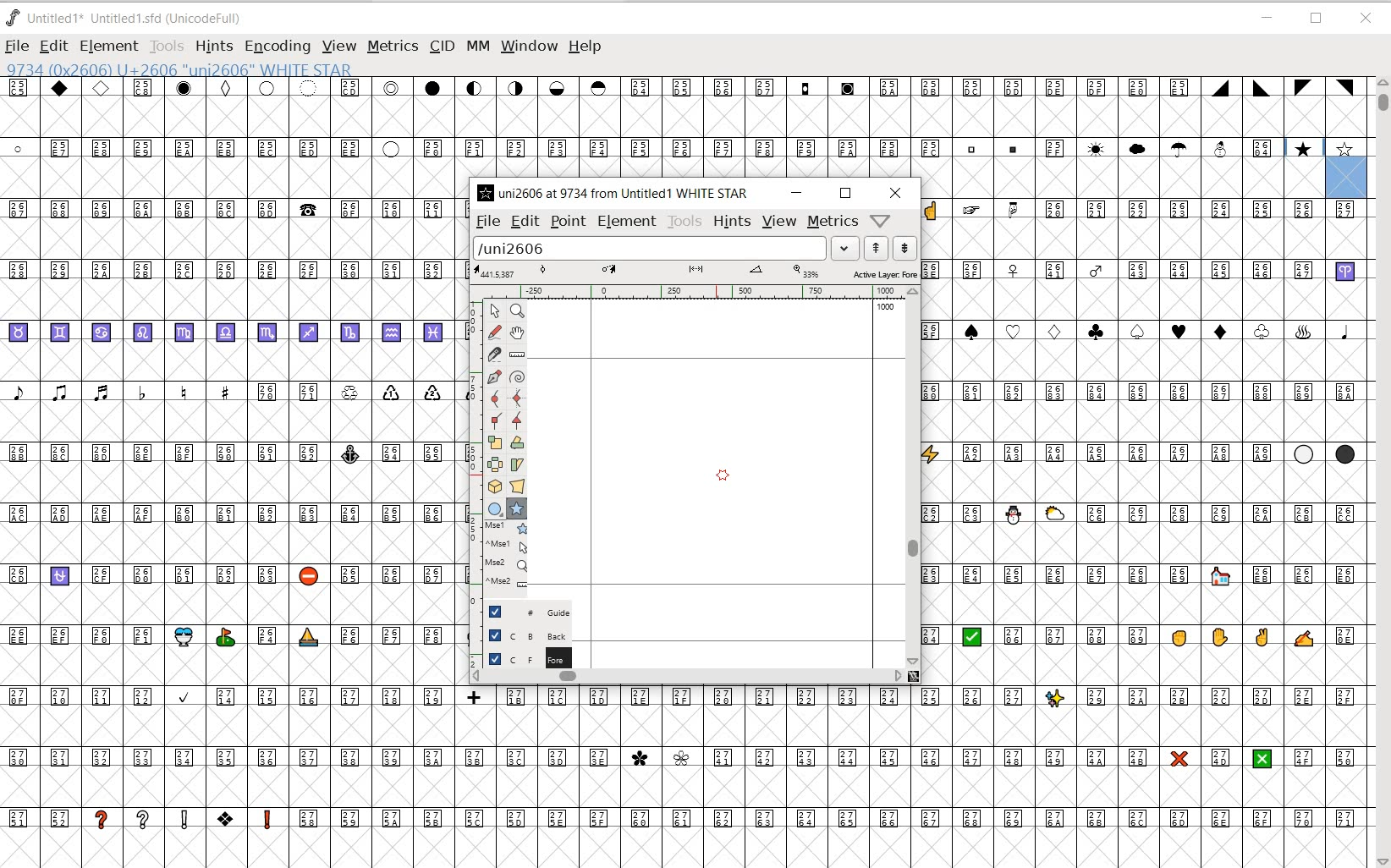 This screenshot has height=868, width=1391. Describe the element at coordinates (845, 194) in the screenshot. I see `RESTORE` at that location.